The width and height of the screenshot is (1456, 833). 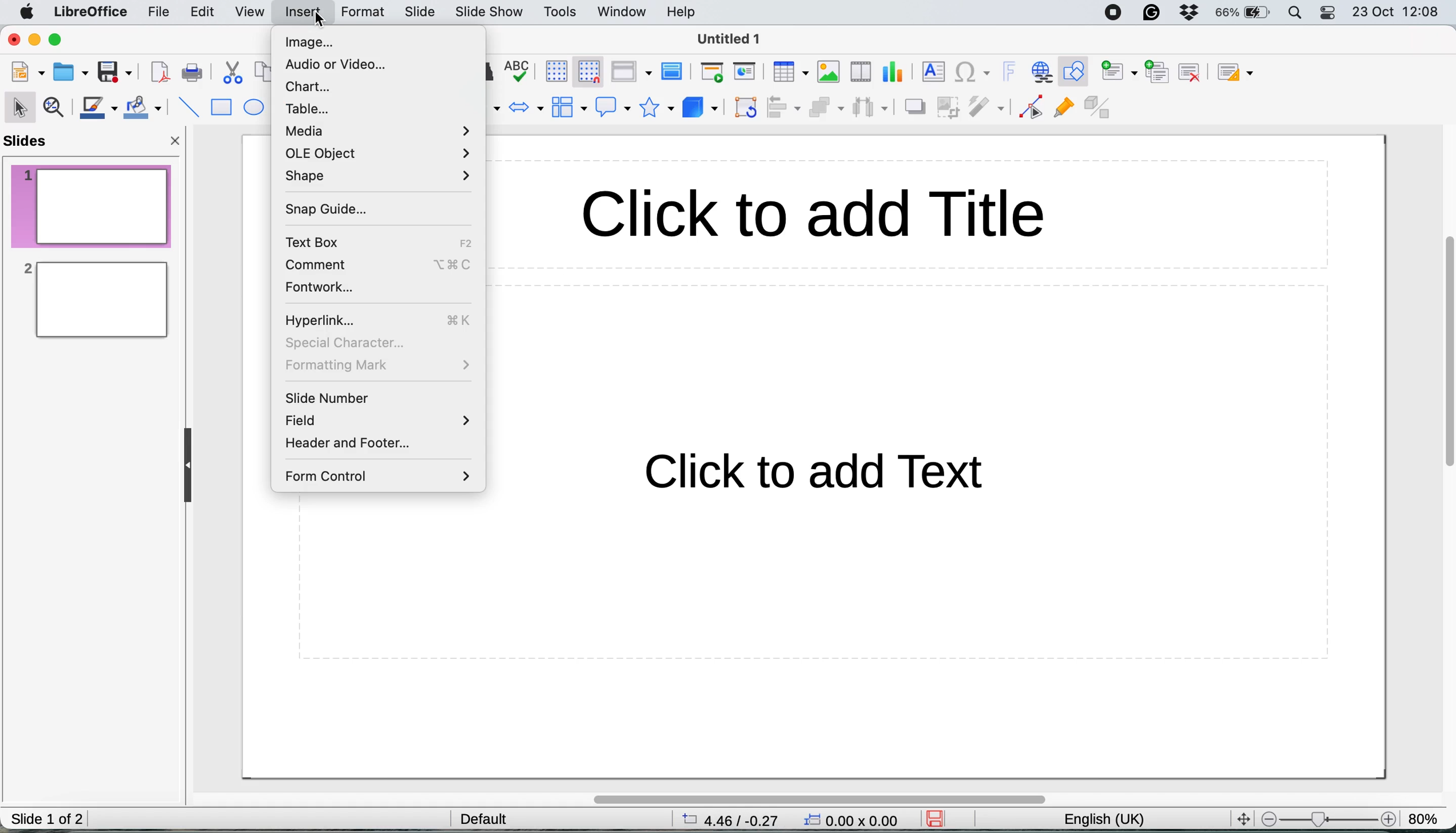 I want to click on arrange, so click(x=825, y=109).